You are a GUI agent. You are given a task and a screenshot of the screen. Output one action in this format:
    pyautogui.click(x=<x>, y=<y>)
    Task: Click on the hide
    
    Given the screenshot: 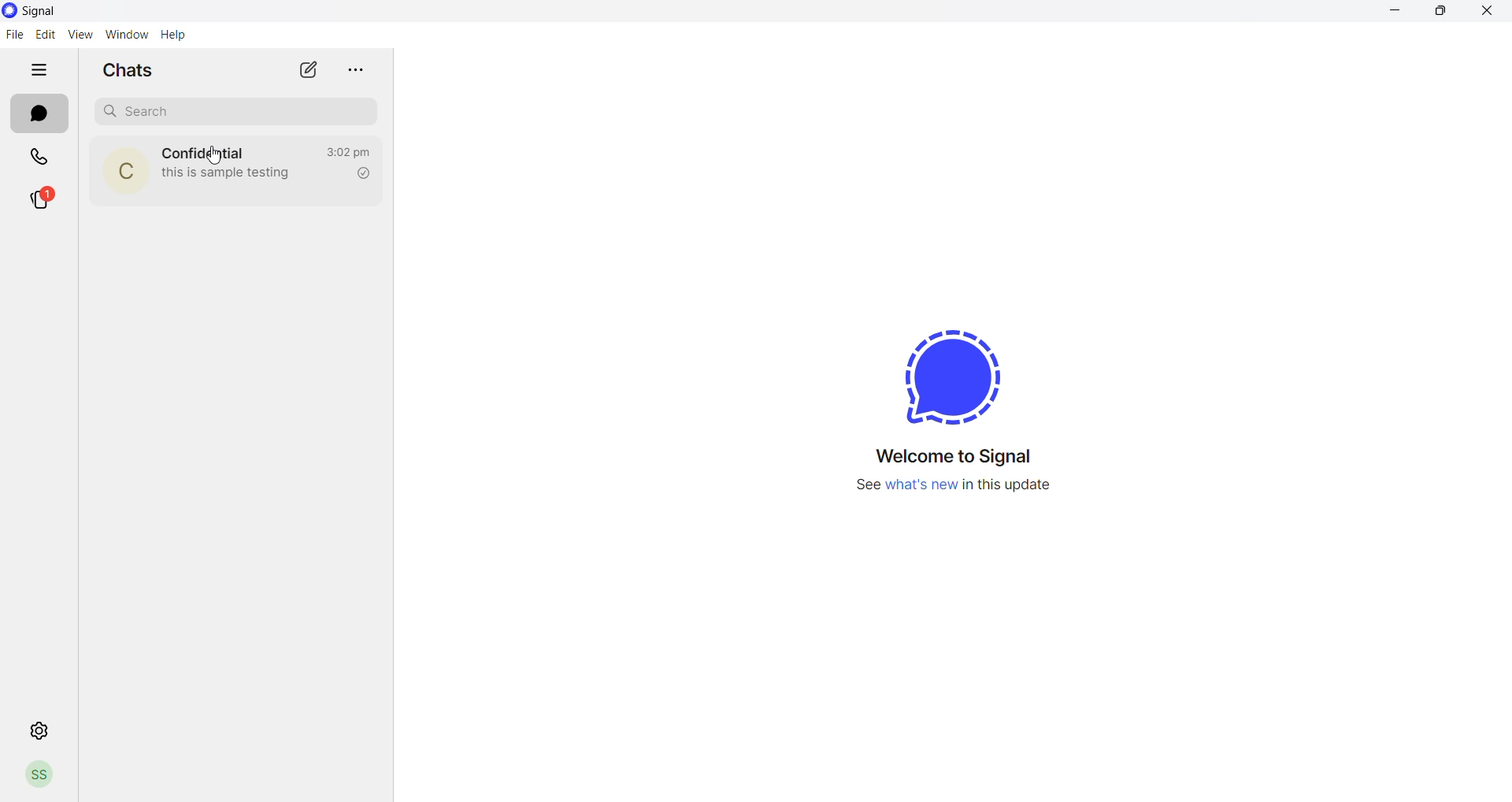 What is the action you would take?
    pyautogui.click(x=37, y=71)
    